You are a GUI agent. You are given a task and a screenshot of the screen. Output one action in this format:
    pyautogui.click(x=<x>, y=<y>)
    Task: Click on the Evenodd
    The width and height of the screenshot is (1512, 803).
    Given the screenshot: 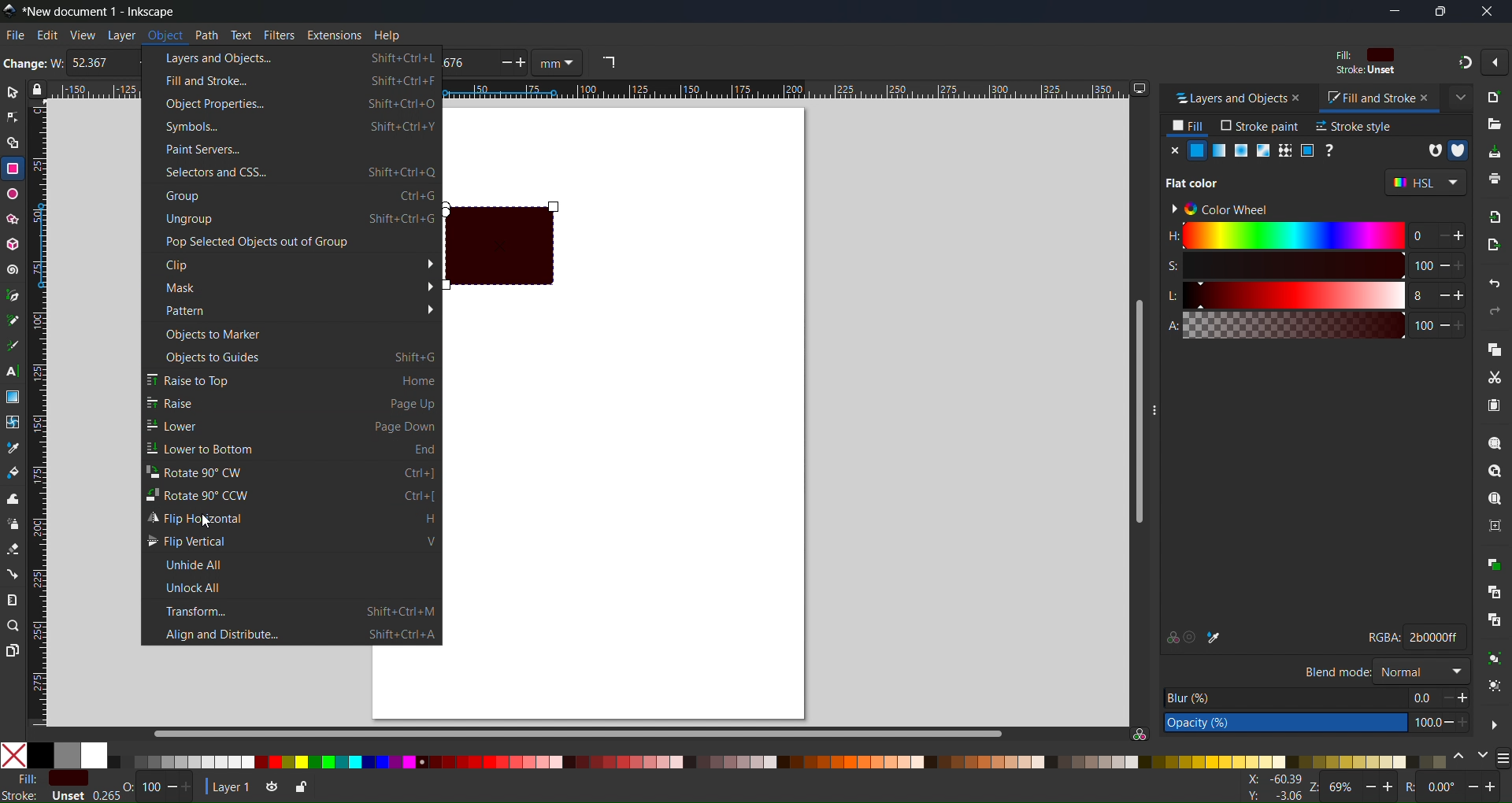 What is the action you would take?
    pyautogui.click(x=1432, y=150)
    